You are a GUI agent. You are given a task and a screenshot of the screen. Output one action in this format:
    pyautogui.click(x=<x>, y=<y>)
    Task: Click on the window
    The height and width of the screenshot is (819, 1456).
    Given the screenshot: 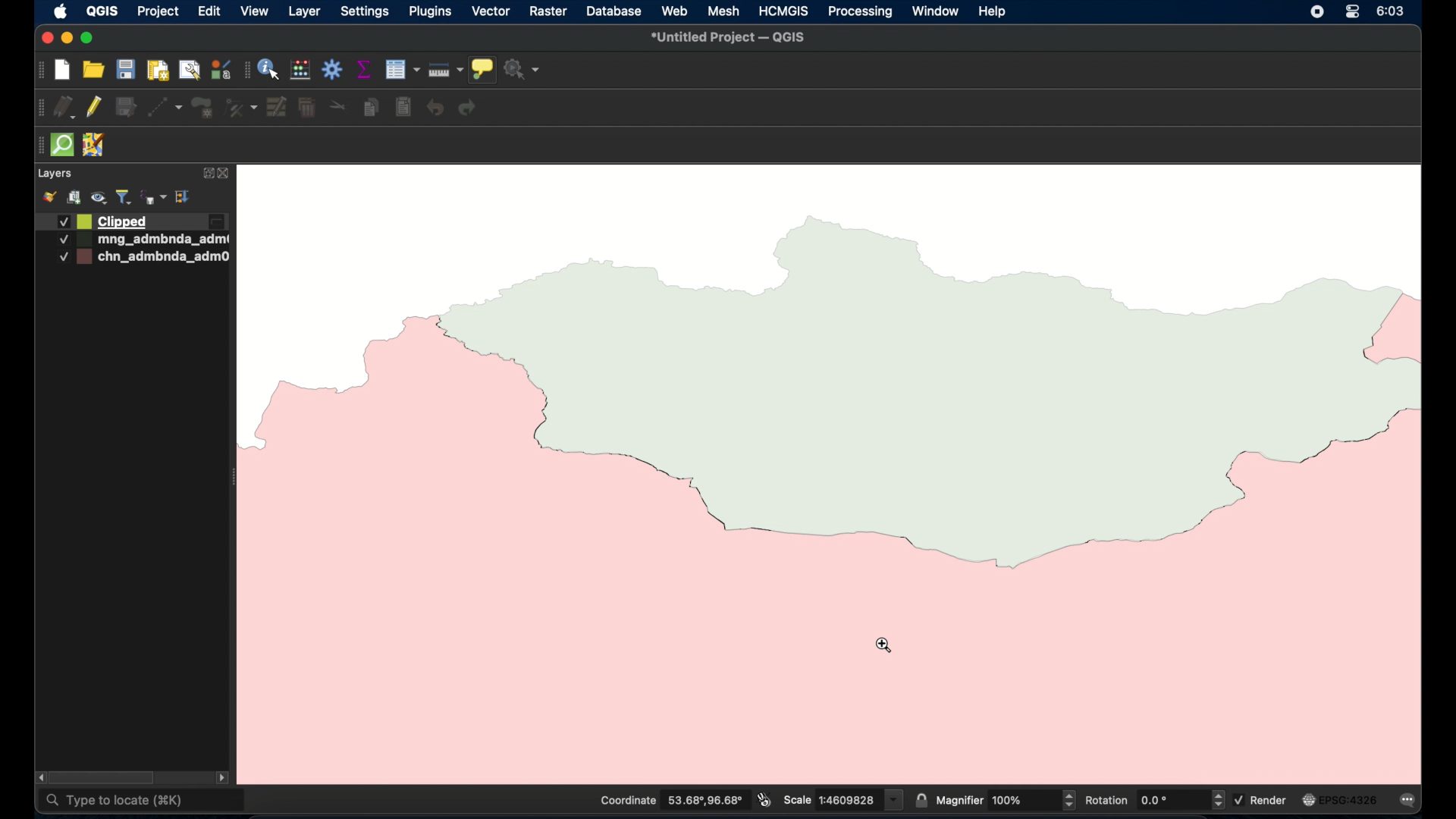 What is the action you would take?
    pyautogui.click(x=937, y=11)
    